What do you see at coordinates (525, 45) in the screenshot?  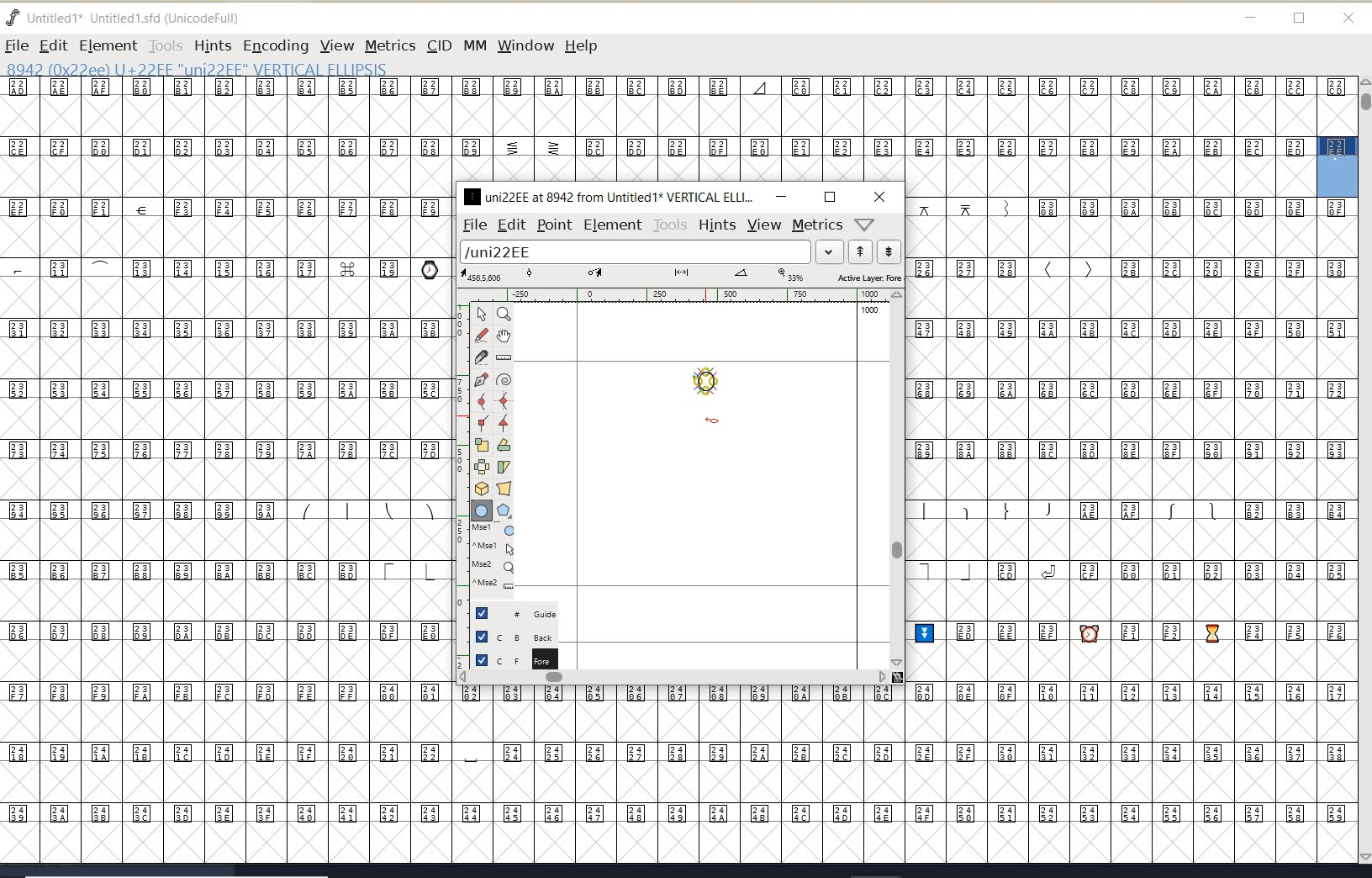 I see `window` at bounding box center [525, 45].